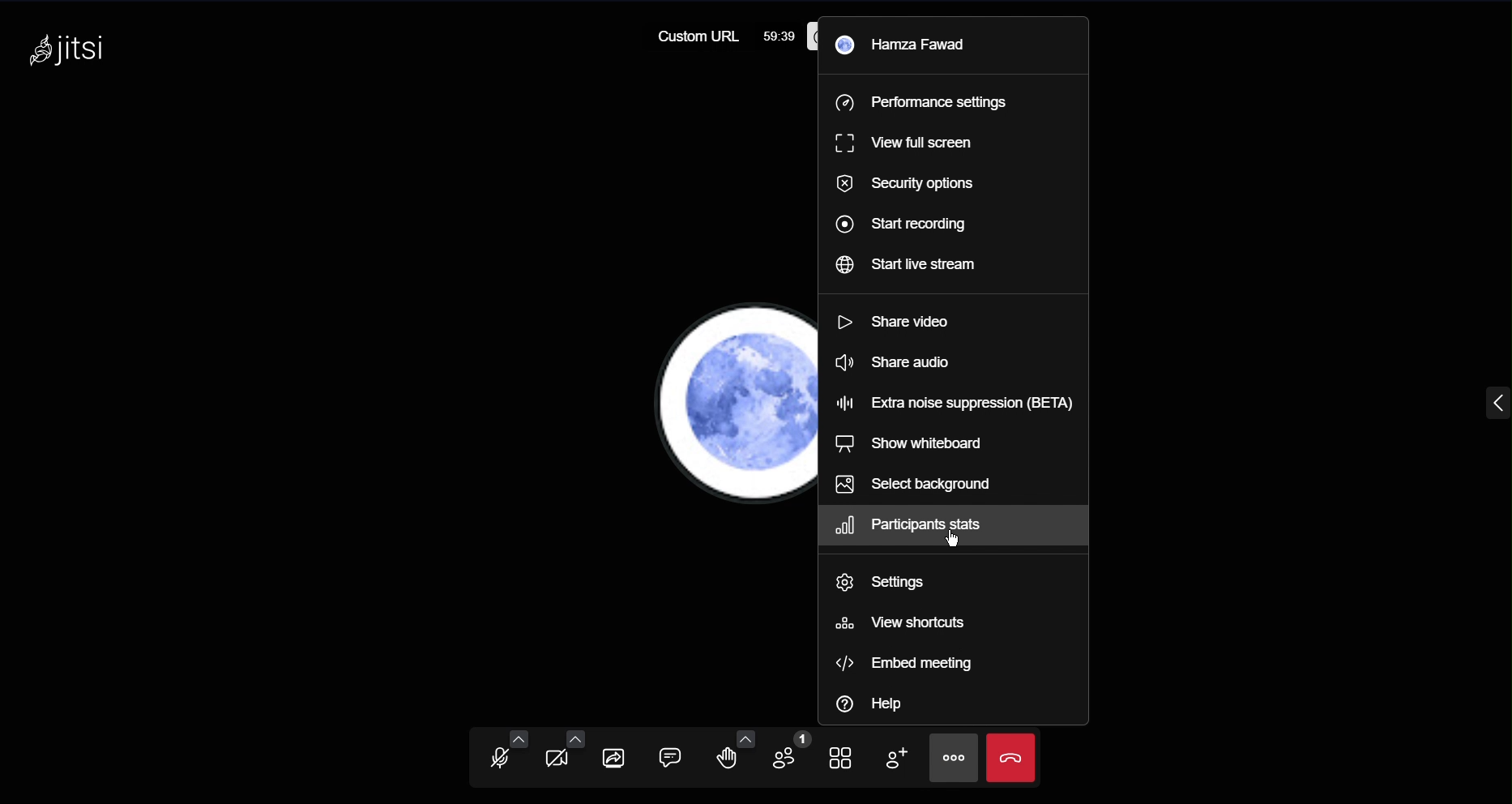 The height and width of the screenshot is (804, 1512). Describe the element at coordinates (728, 402) in the screenshot. I see `Account Profile Picture` at that location.